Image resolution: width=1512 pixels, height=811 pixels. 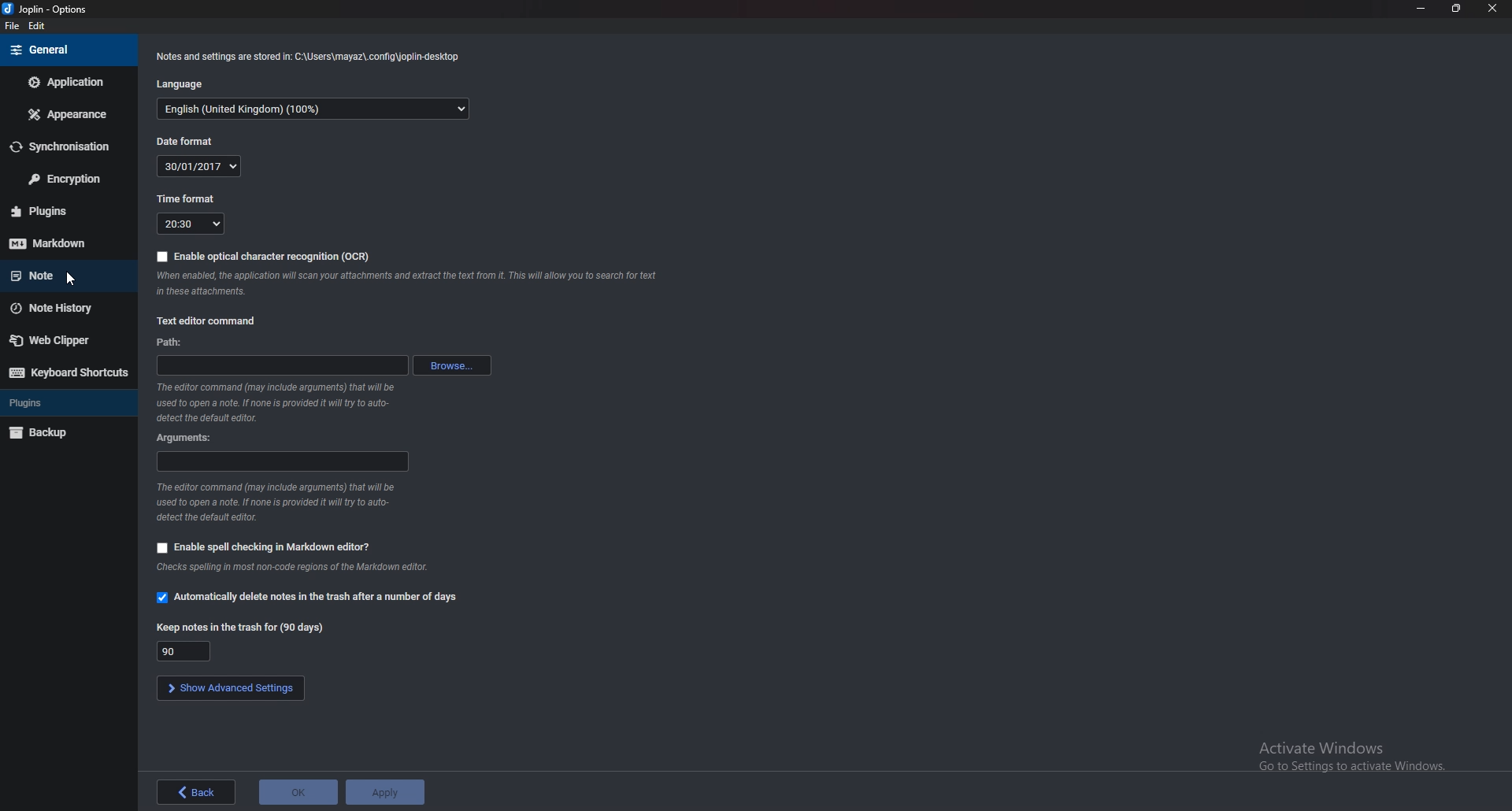 I want to click on Show advanced settings, so click(x=228, y=689).